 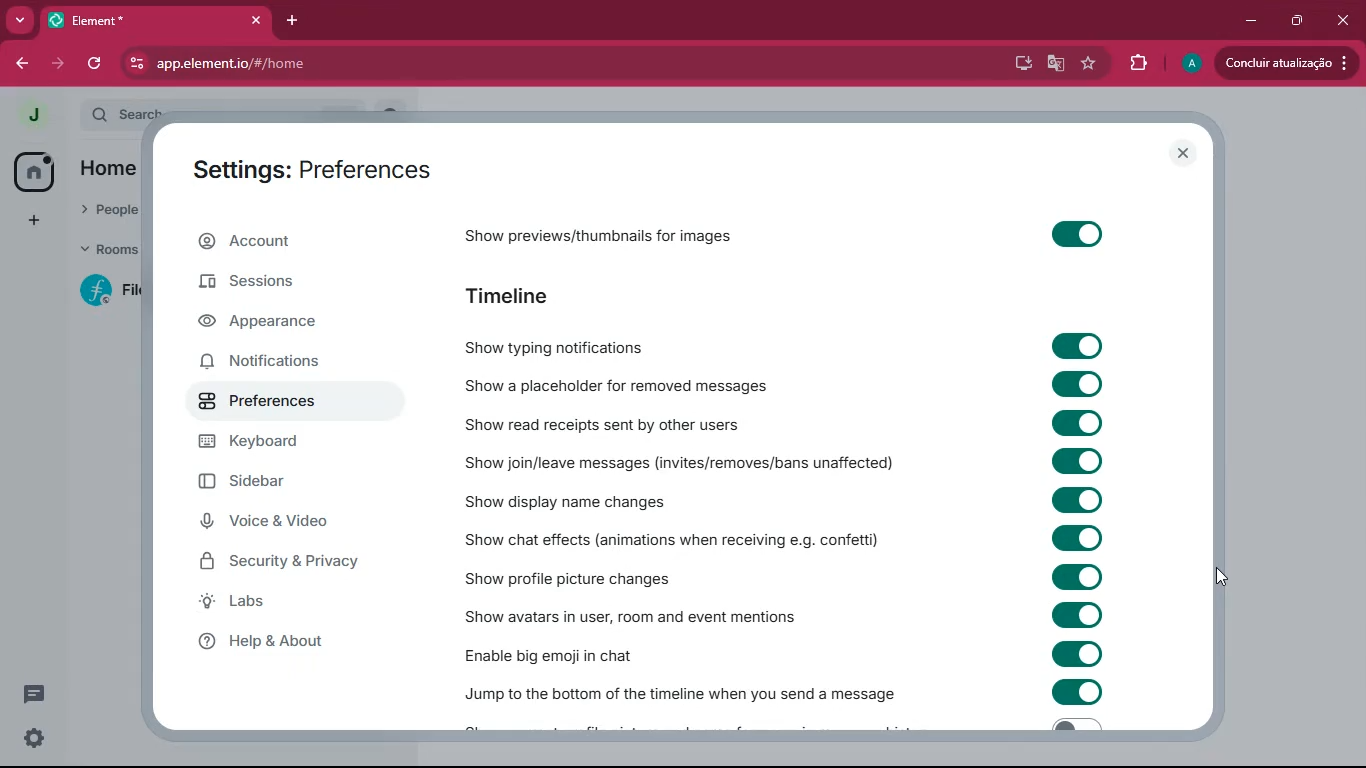 What do you see at coordinates (1074, 498) in the screenshot?
I see `toggle on ` at bounding box center [1074, 498].